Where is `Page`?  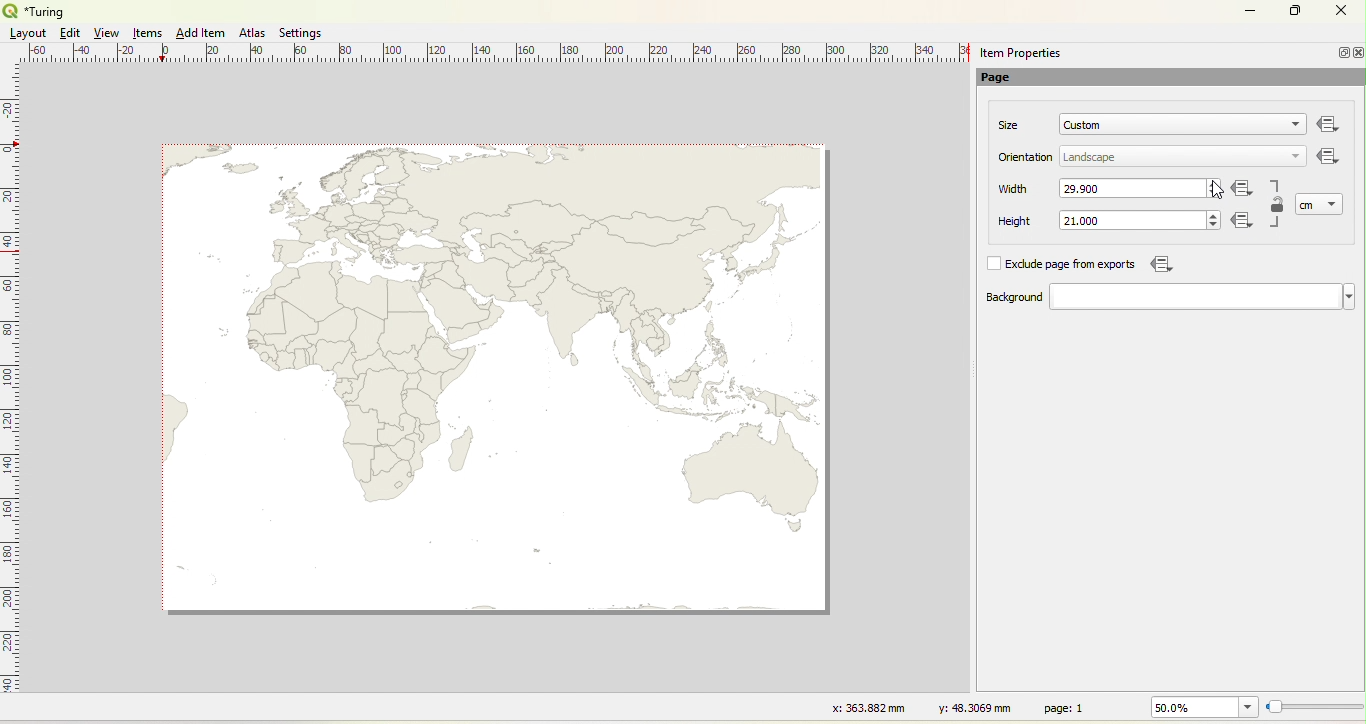 Page is located at coordinates (1006, 79).